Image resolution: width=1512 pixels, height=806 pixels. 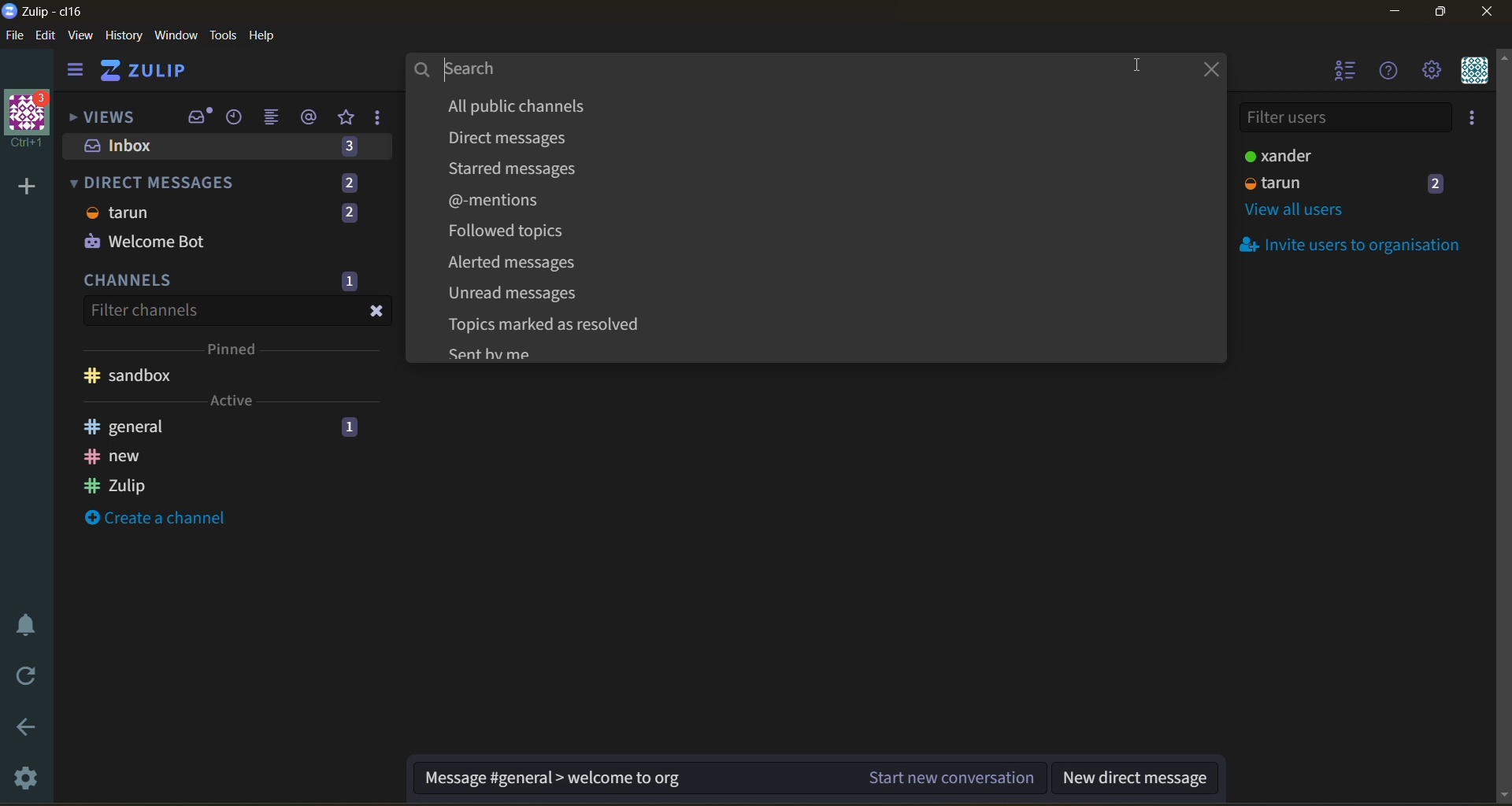 What do you see at coordinates (46, 10) in the screenshot?
I see `Zulip-cl16` at bounding box center [46, 10].